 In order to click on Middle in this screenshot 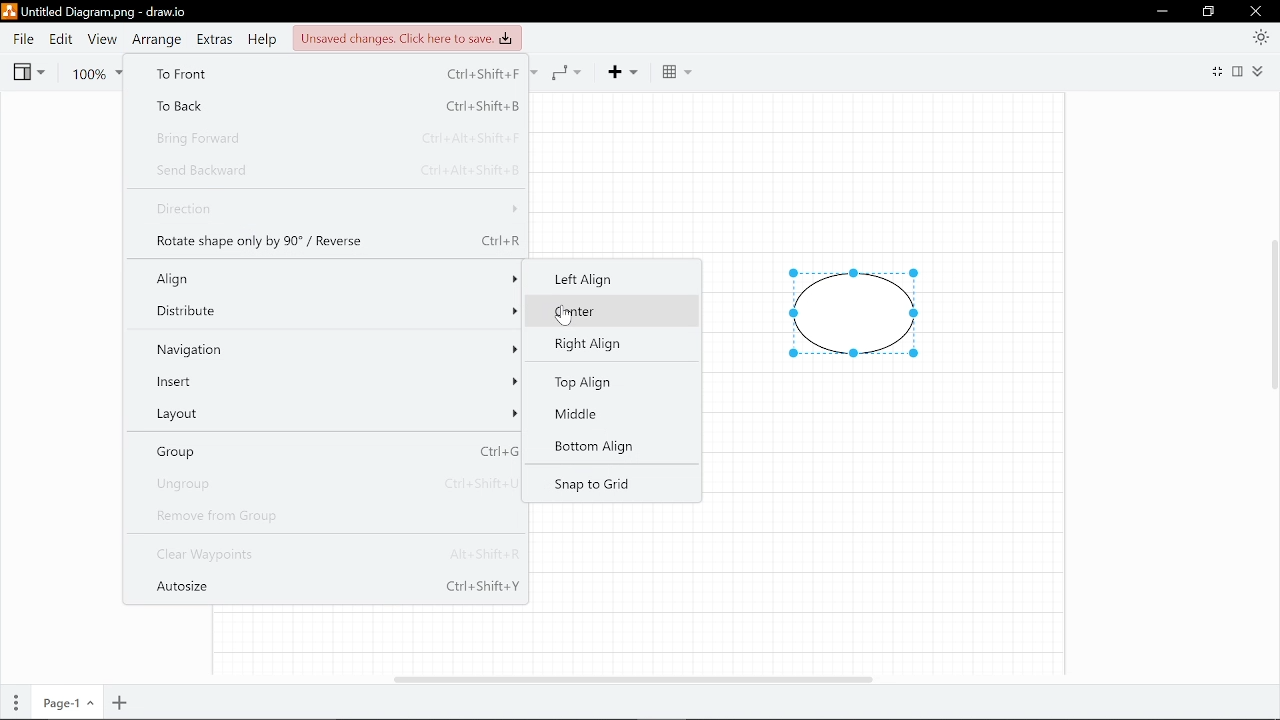, I will do `click(586, 415)`.